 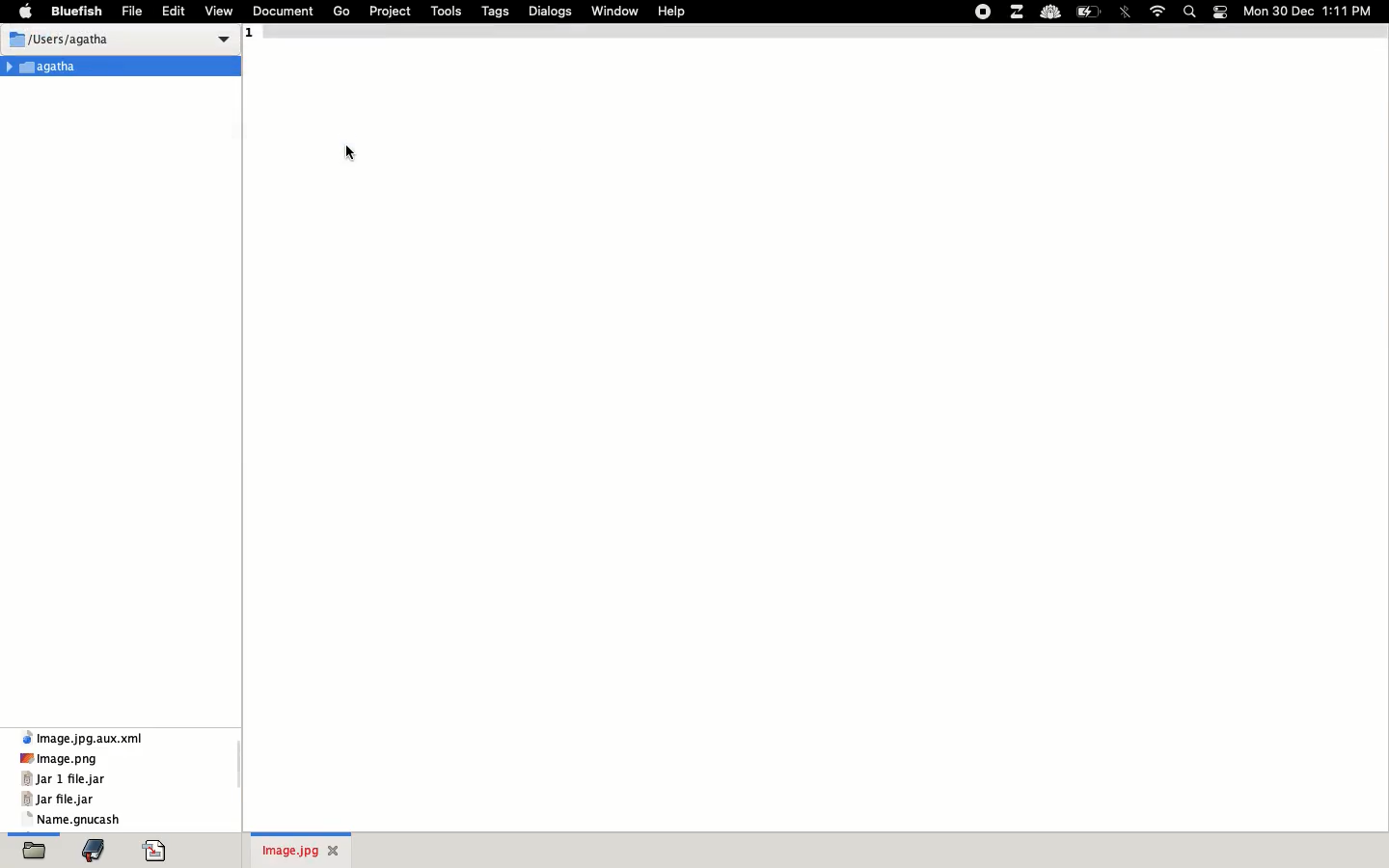 What do you see at coordinates (65, 39) in the screenshot?
I see `/user/agatha` at bounding box center [65, 39].